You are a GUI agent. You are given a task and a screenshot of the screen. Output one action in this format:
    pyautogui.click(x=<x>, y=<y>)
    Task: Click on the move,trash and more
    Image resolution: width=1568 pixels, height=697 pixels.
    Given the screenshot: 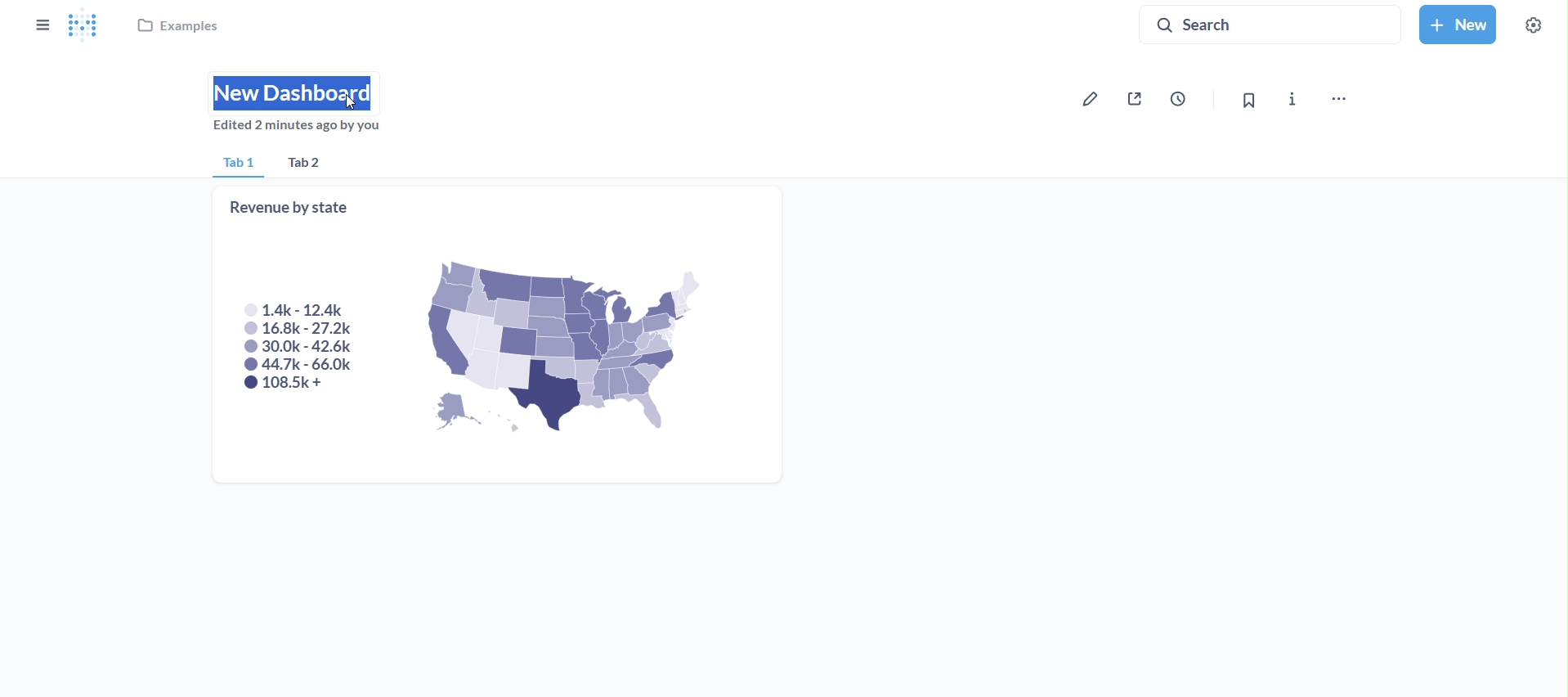 What is the action you would take?
    pyautogui.click(x=1338, y=101)
    